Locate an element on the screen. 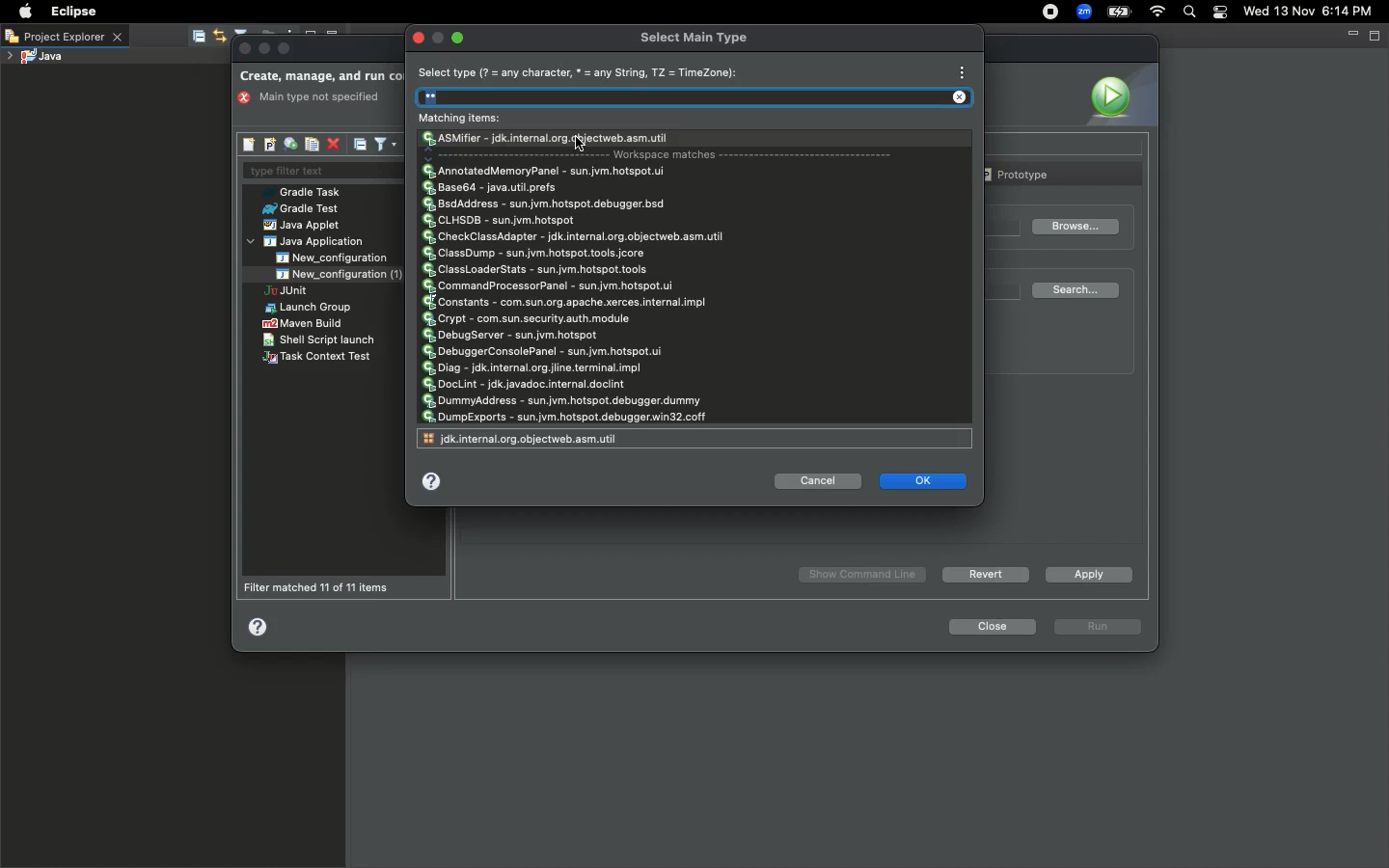  Apple logo is located at coordinates (23, 12).